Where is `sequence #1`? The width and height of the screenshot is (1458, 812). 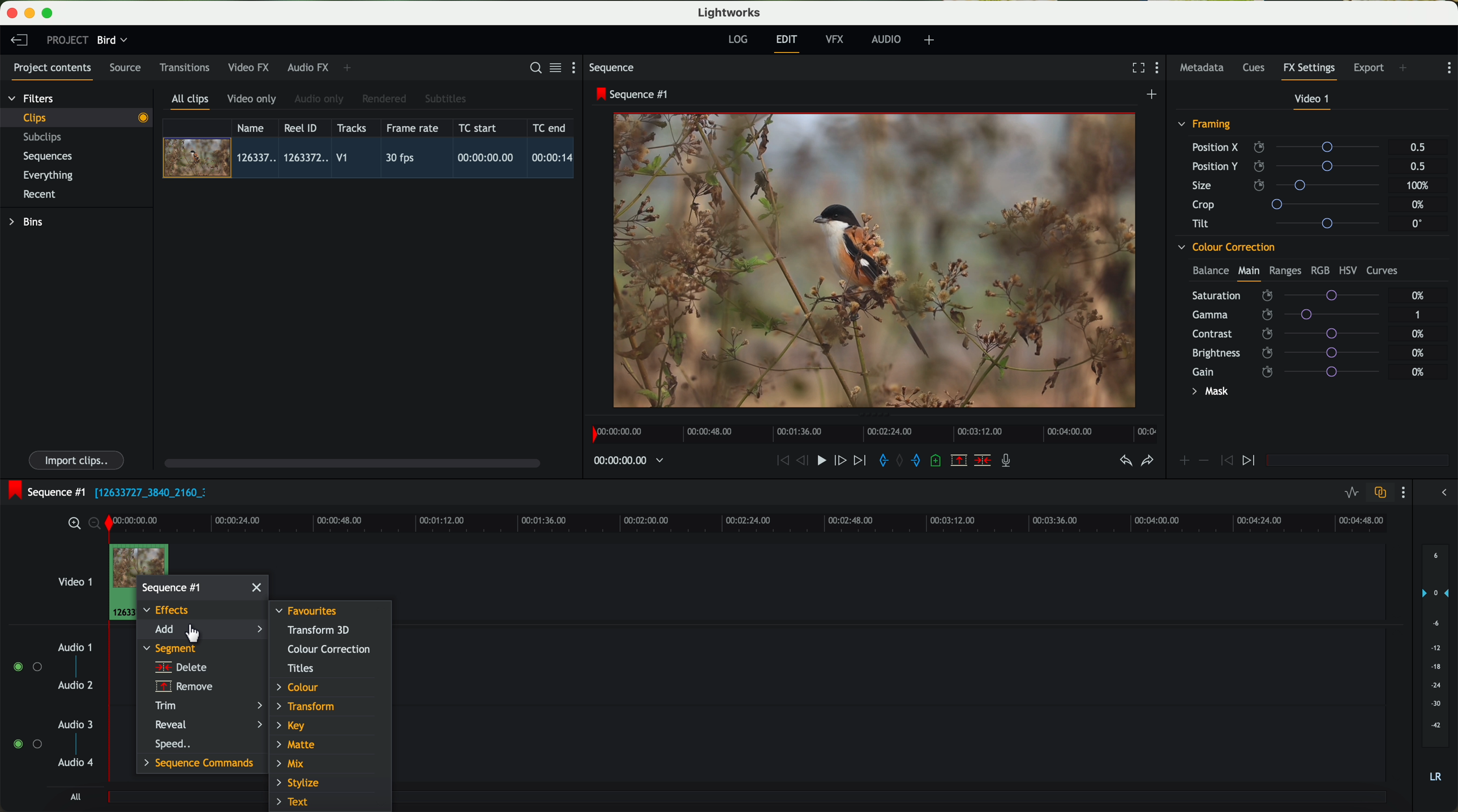
sequence #1 is located at coordinates (633, 94).